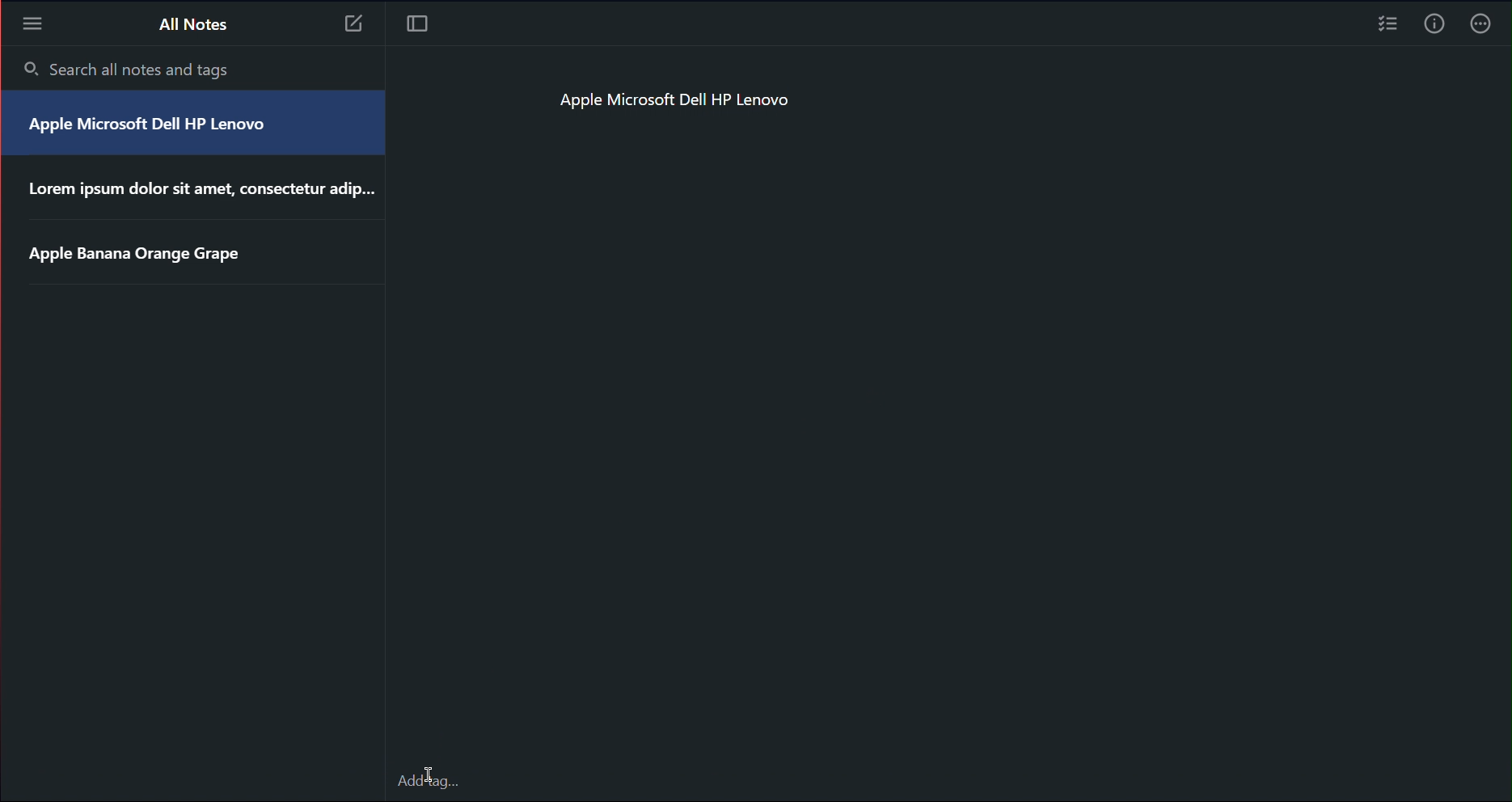 The height and width of the screenshot is (802, 1512). I want to click on Lorem ipsum dolor sit amet, consectetur adip..., so click(199, 191).